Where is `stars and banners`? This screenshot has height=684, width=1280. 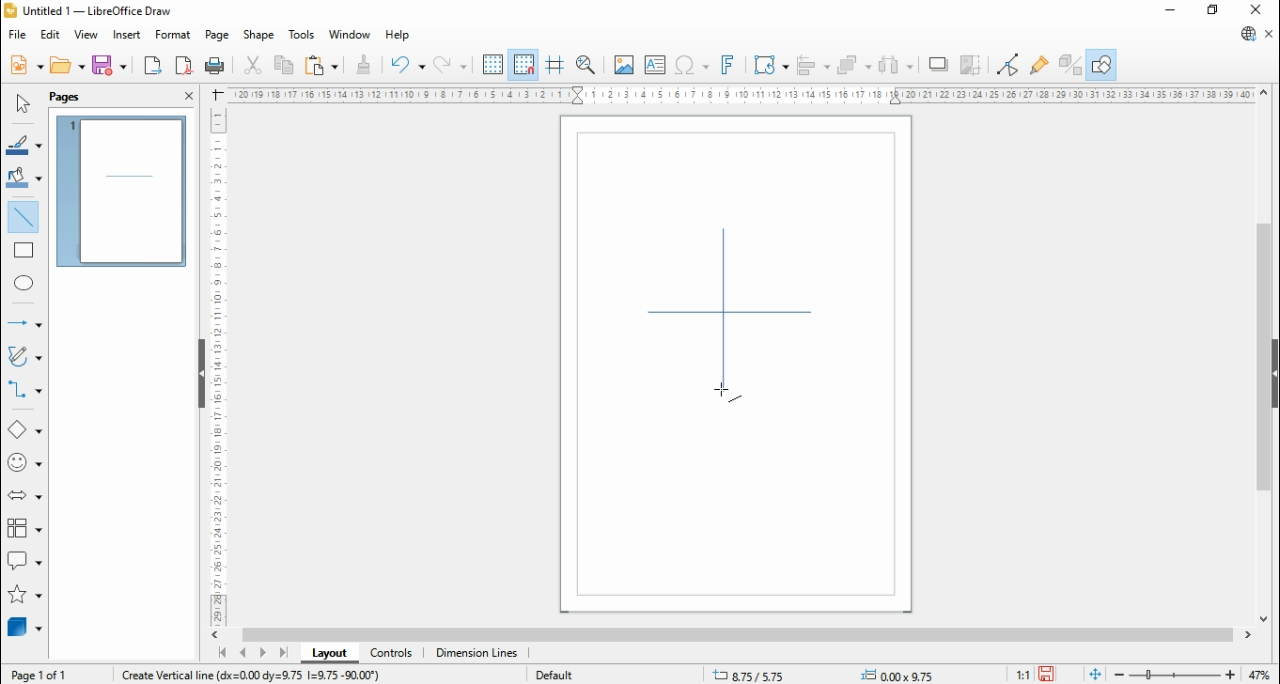
stars and banners is located at coordinates (22, 593).